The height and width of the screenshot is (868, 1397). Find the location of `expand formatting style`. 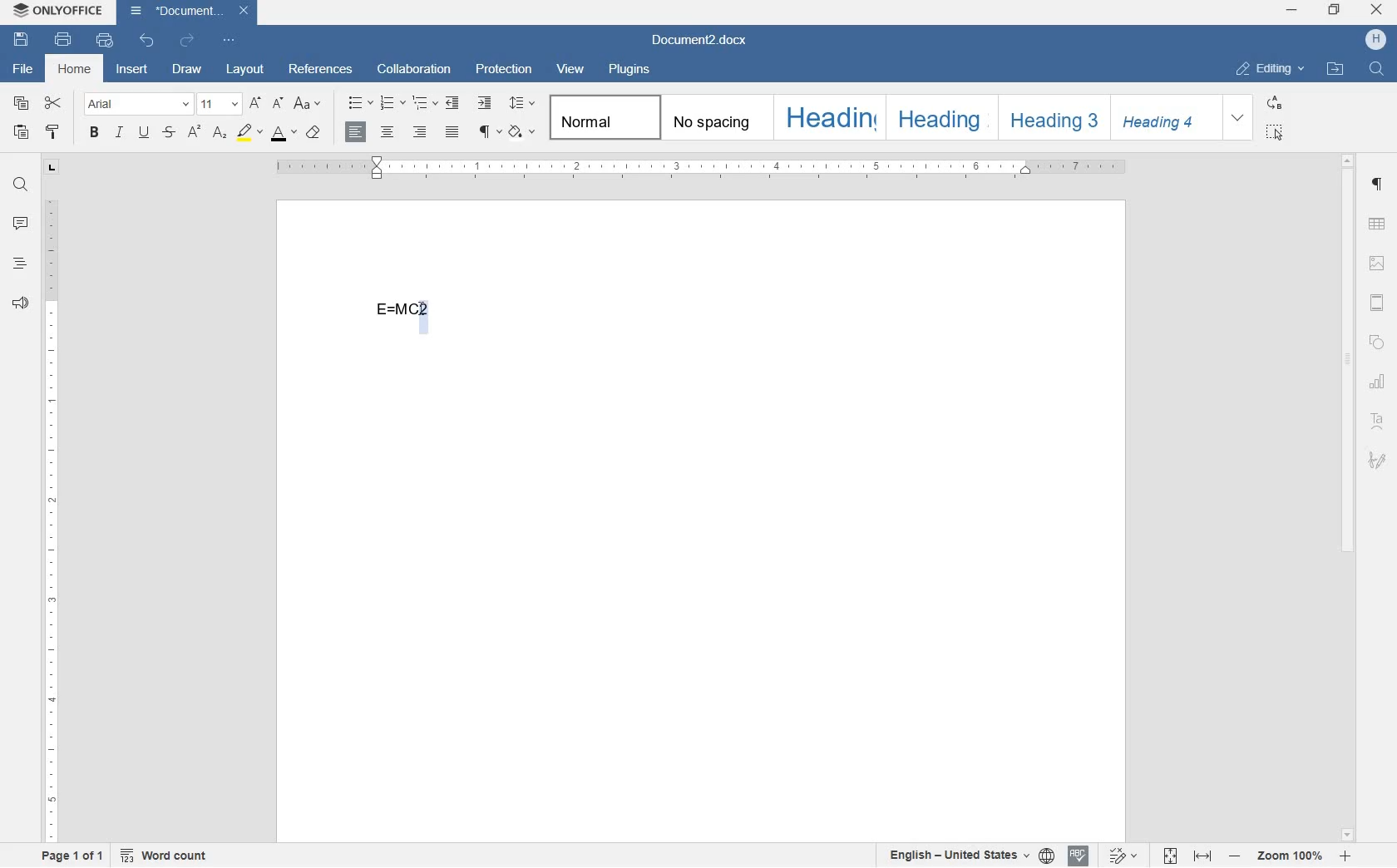

expand formatting style is located at coordinates (1238, 117).